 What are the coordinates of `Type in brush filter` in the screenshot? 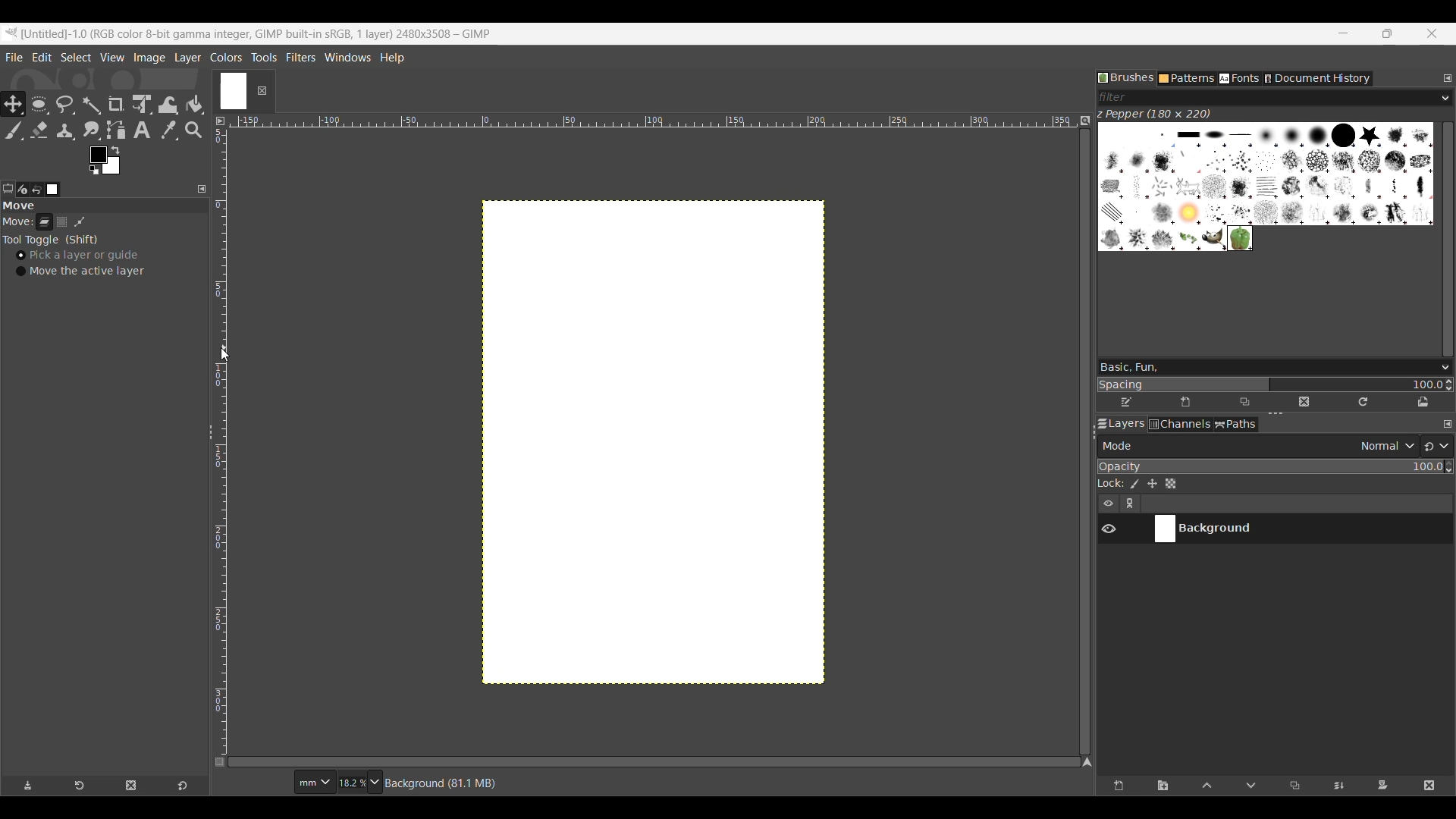 It's located at (1267, 98).